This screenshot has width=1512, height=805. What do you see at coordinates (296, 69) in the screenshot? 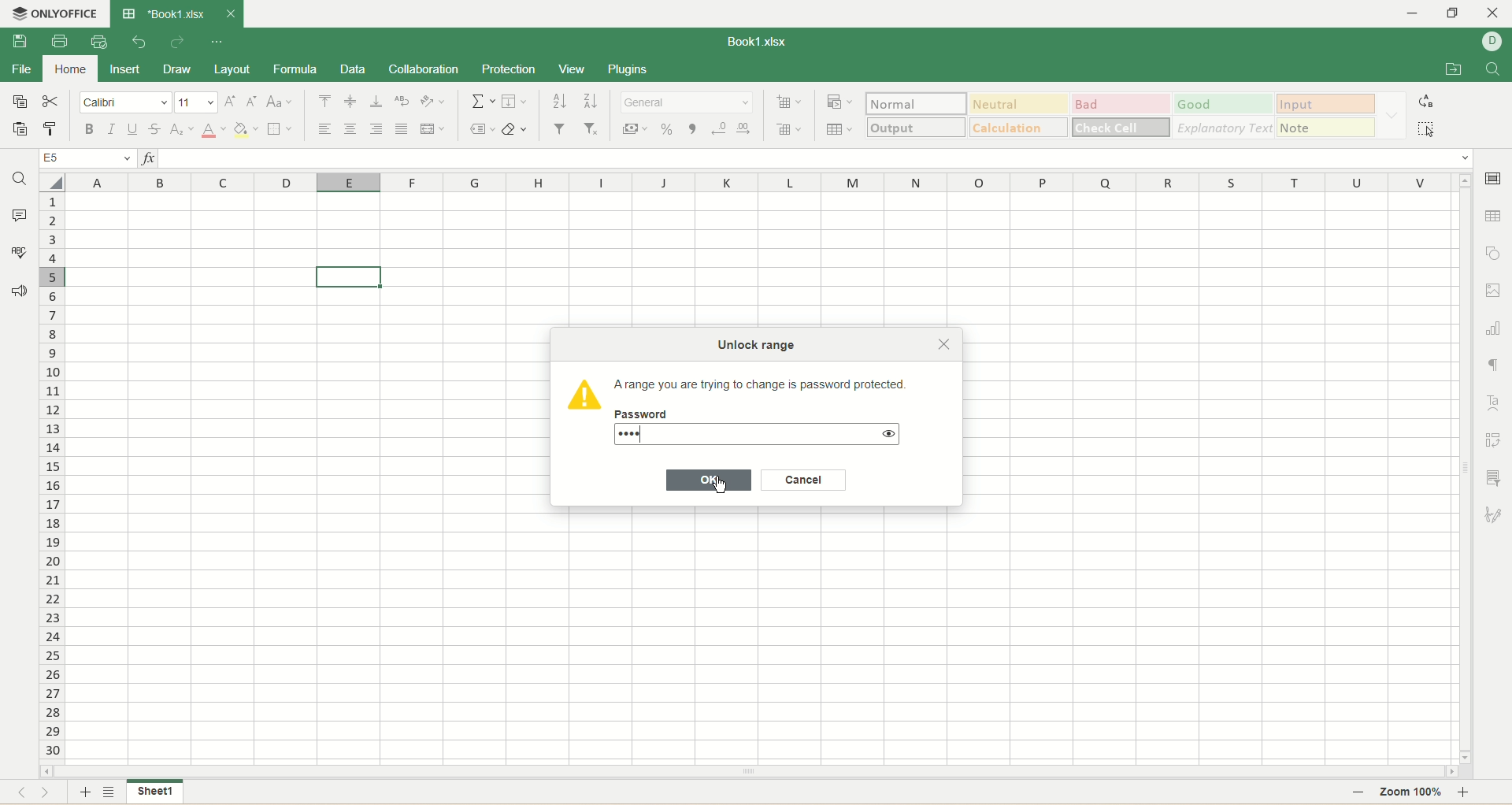
I see `formula` at bounding box center [296, 69].